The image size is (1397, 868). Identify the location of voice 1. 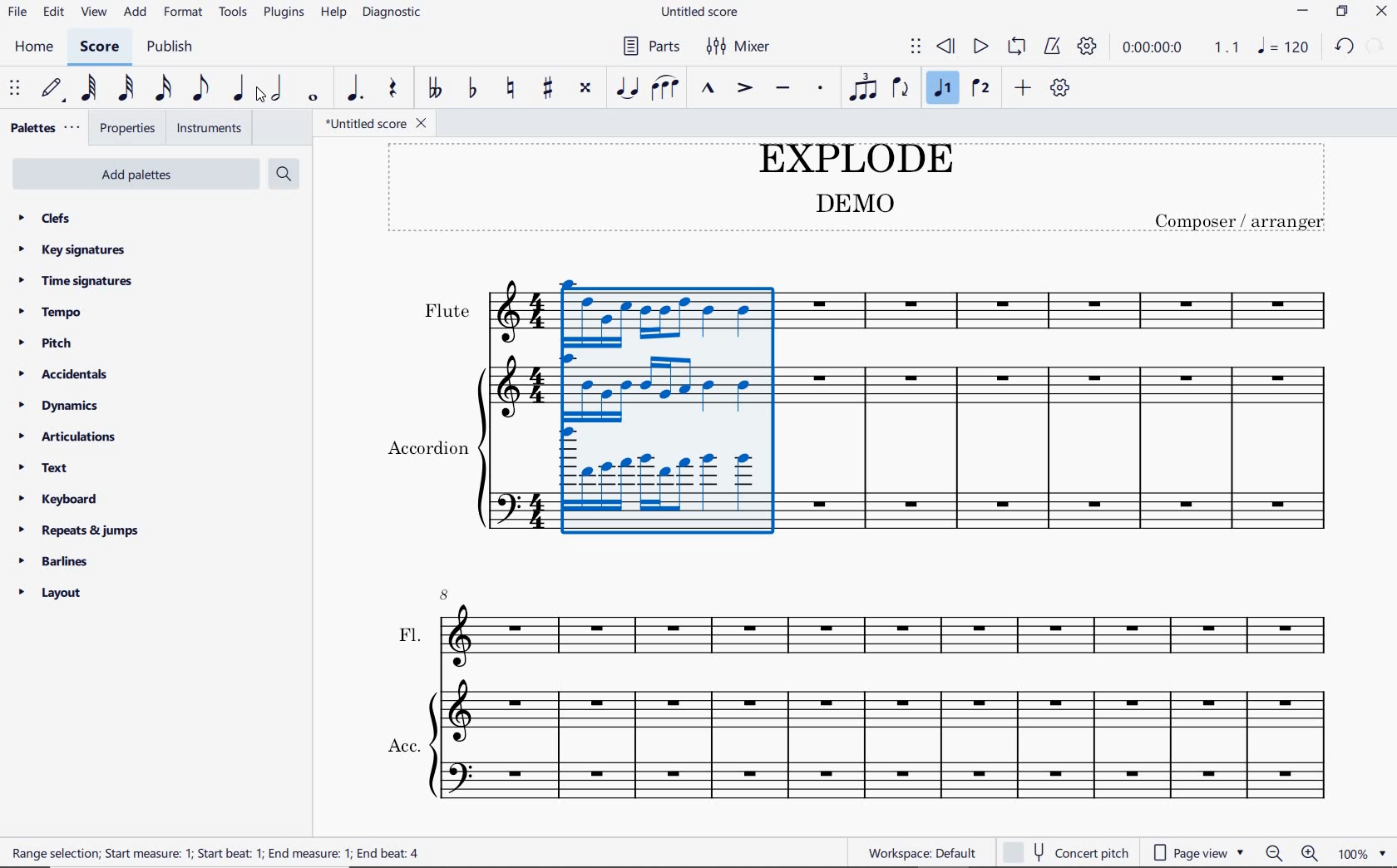
(943, 89).